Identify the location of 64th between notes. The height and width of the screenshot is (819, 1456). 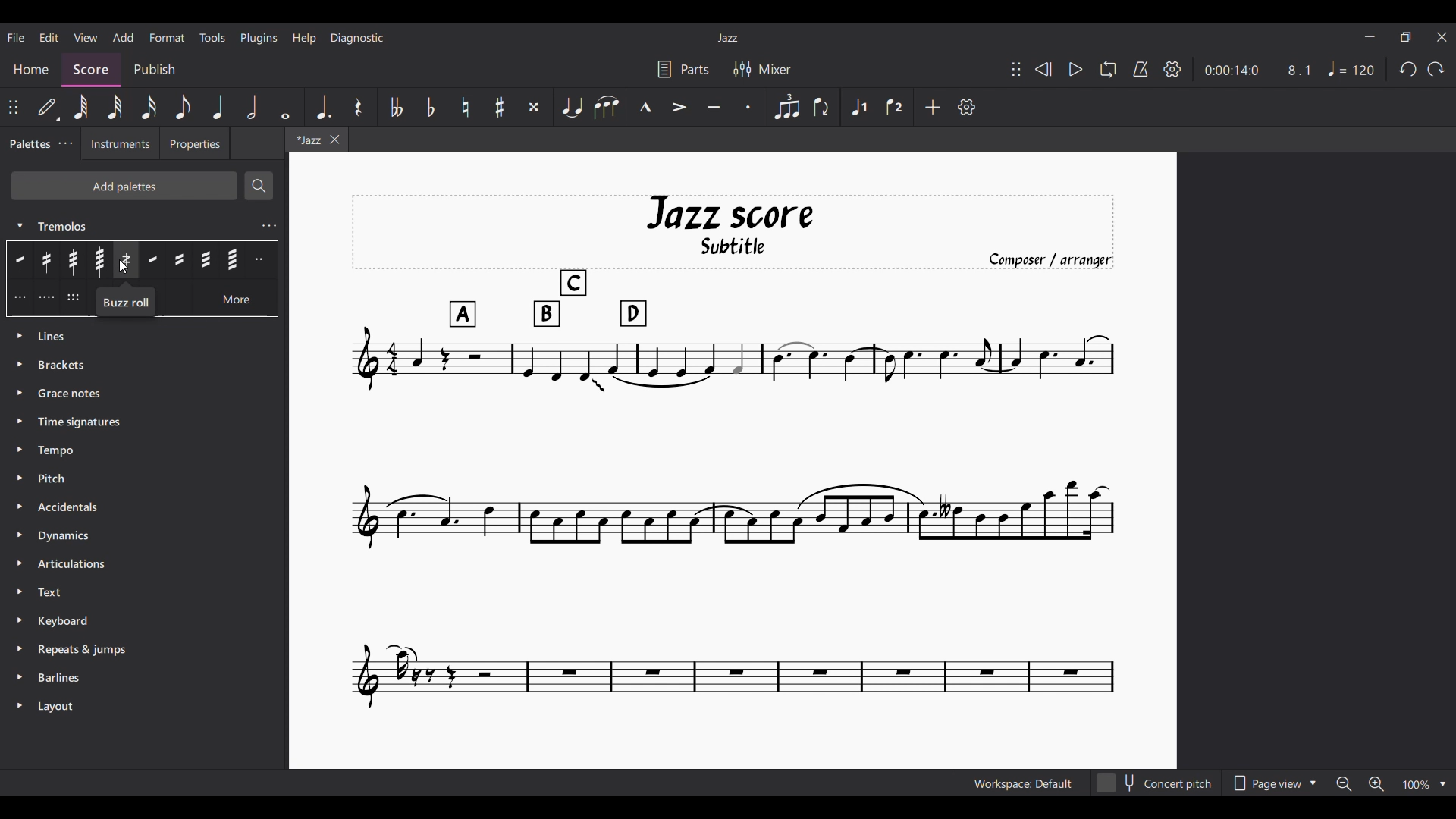
(233, 259).